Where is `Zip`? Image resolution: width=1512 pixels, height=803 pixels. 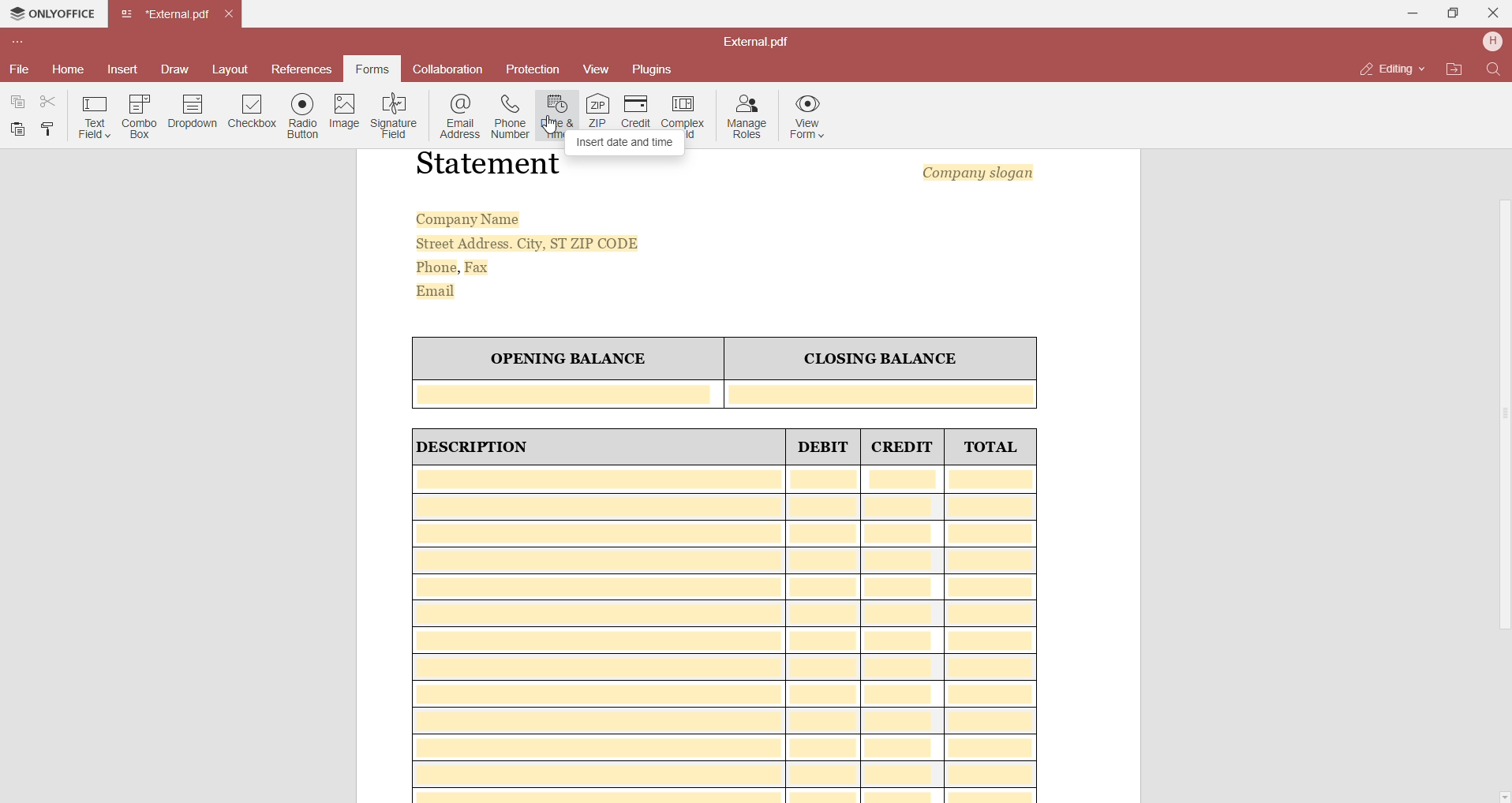 Zip is located at coordinates (597, 110).